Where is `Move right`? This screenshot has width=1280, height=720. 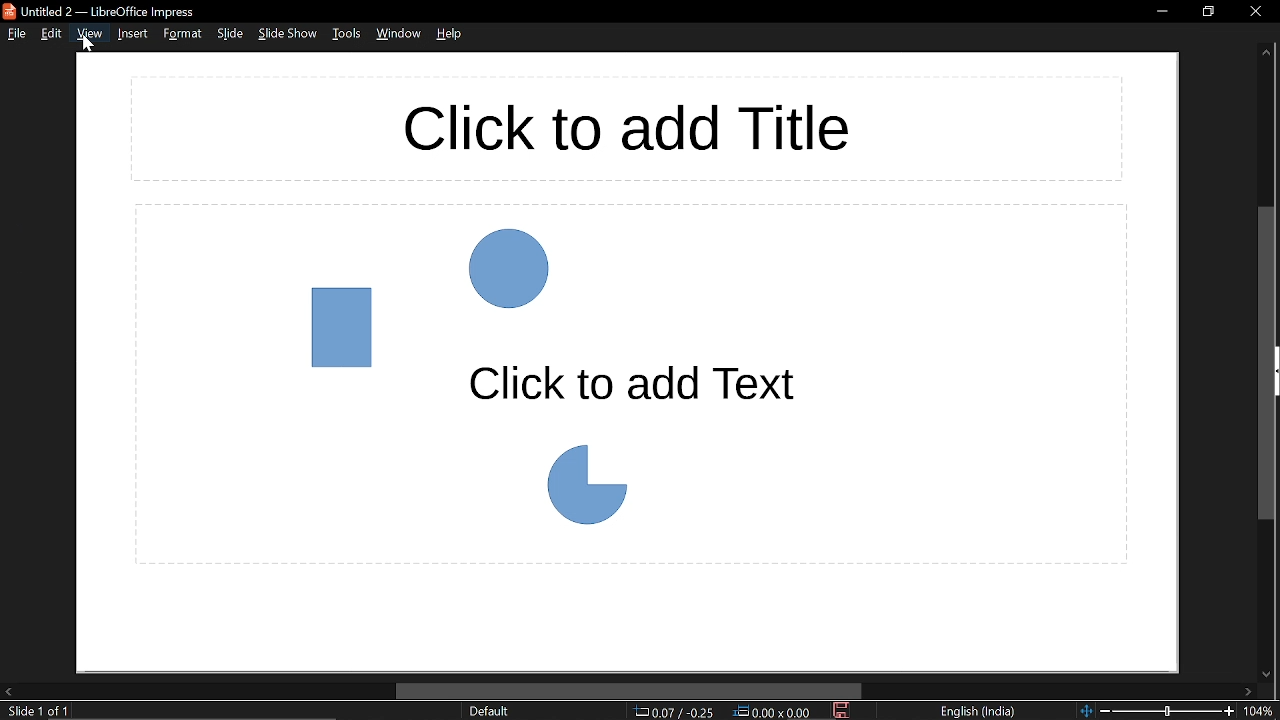 Move right is located at coordinates (1246, 692).